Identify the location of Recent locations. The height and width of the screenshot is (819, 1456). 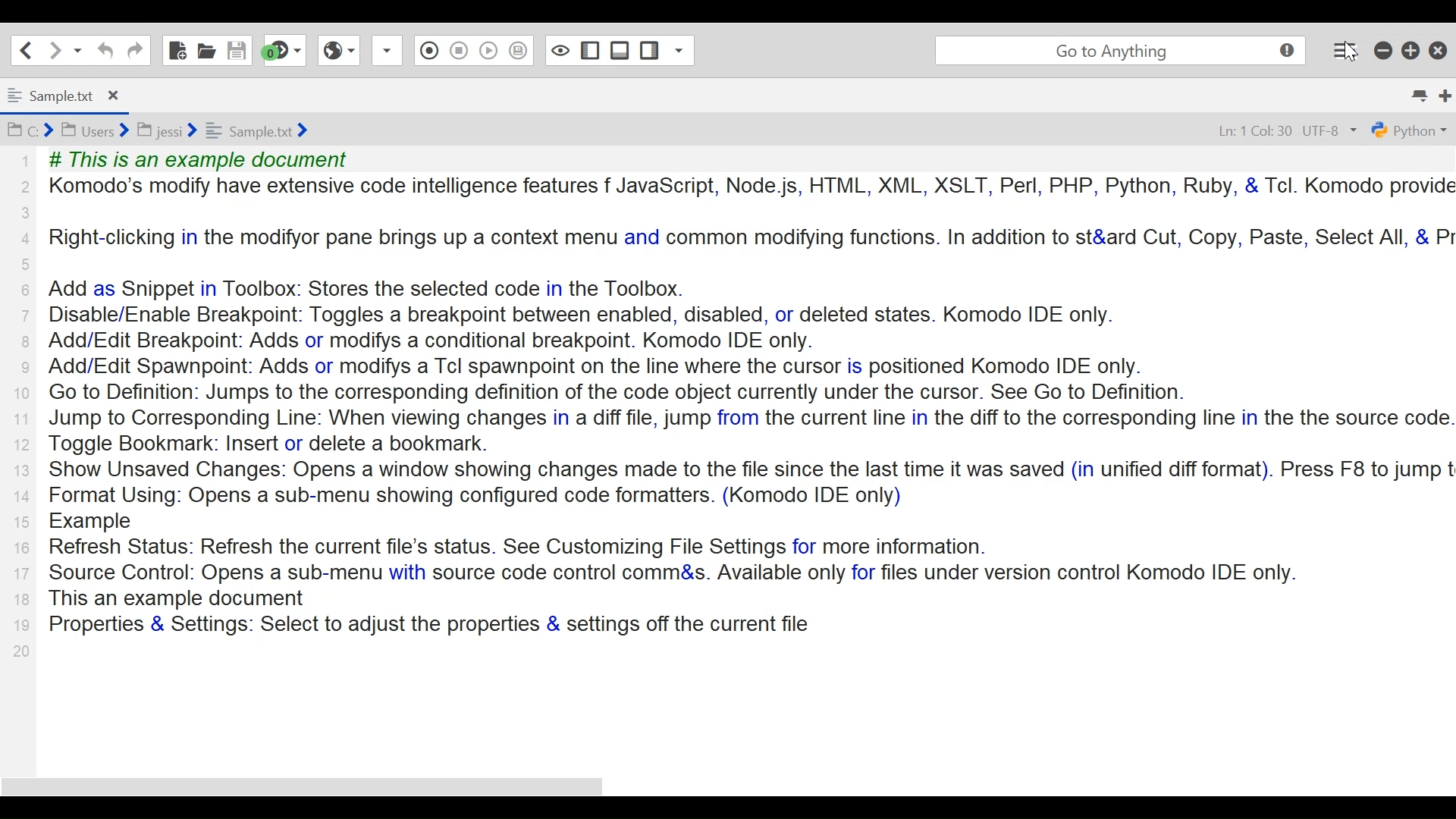
(77, 49).